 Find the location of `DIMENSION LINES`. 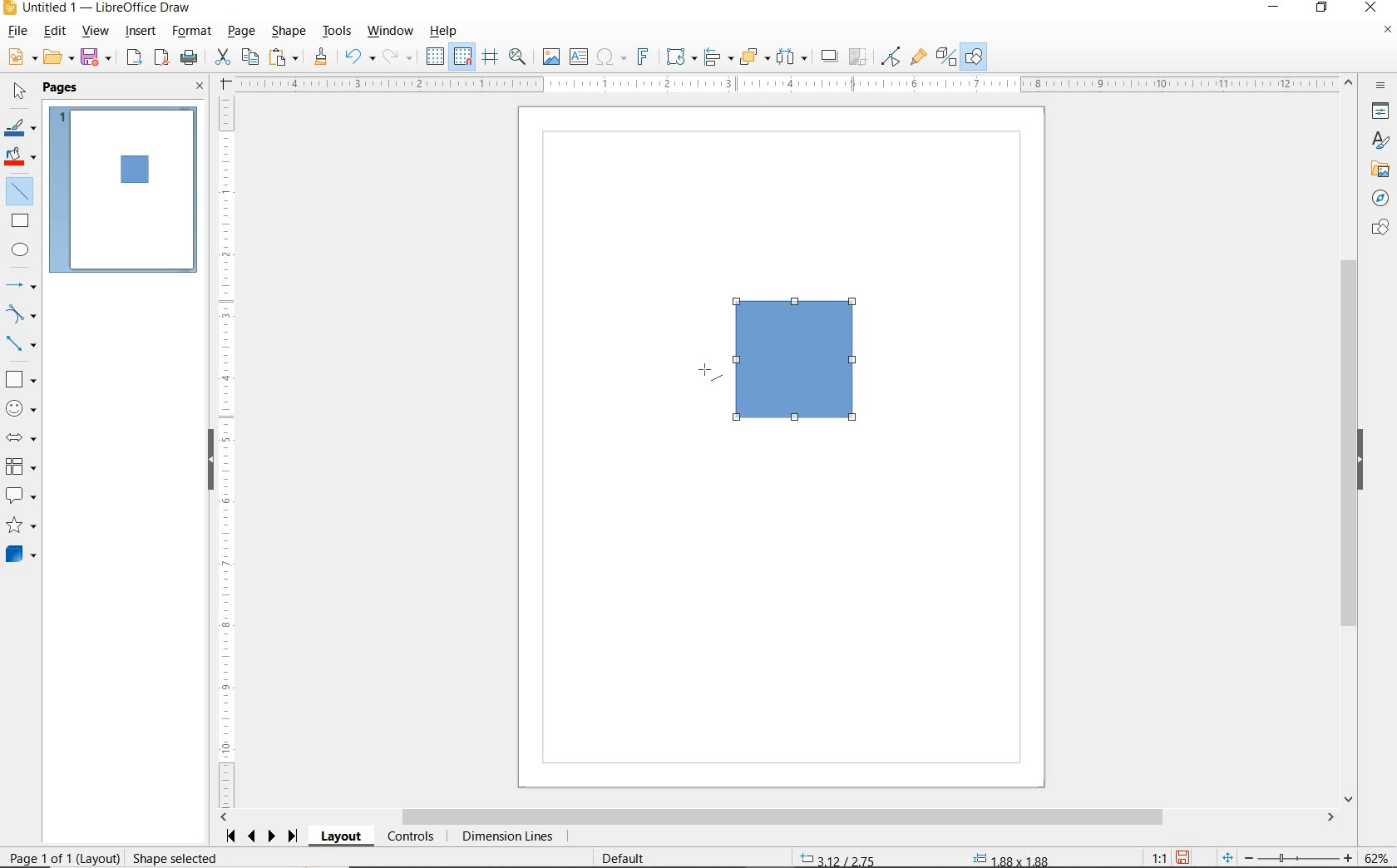

DIMENSION LINES is located at coordinates (506, 837).